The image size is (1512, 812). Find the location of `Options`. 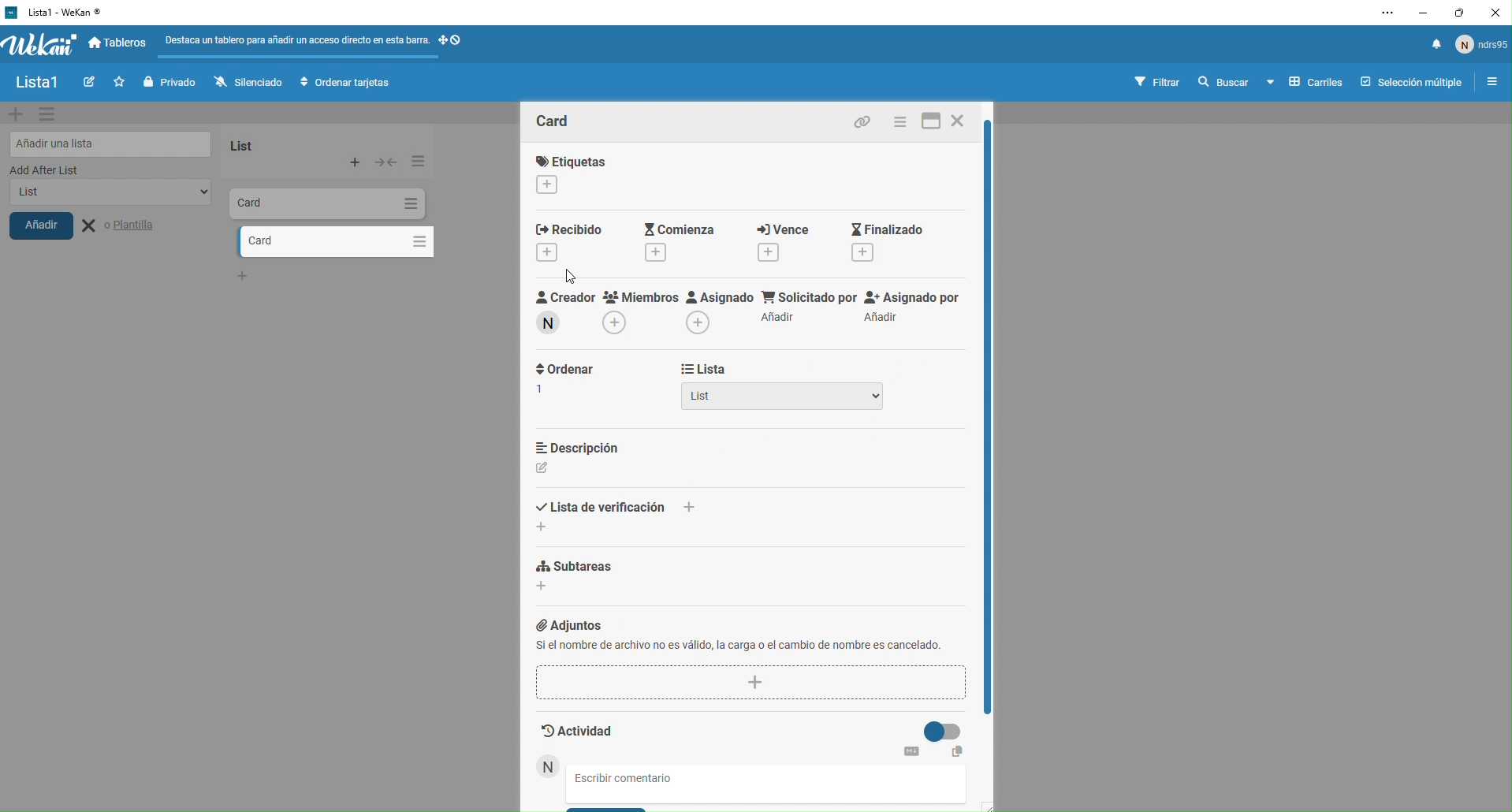

Options is located at coordinates (409, 203).